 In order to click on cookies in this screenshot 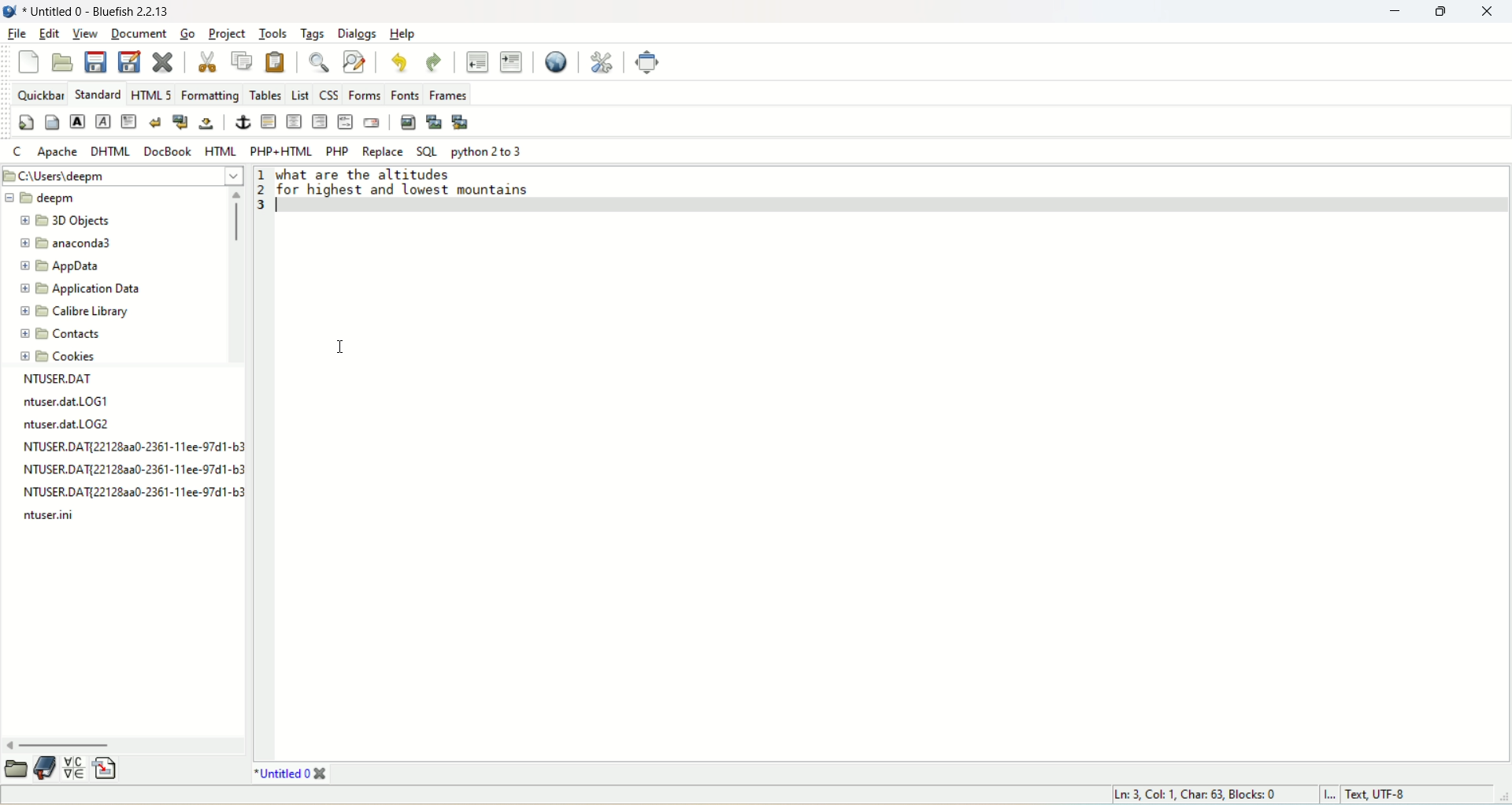, I will do `click(58, 358)`.